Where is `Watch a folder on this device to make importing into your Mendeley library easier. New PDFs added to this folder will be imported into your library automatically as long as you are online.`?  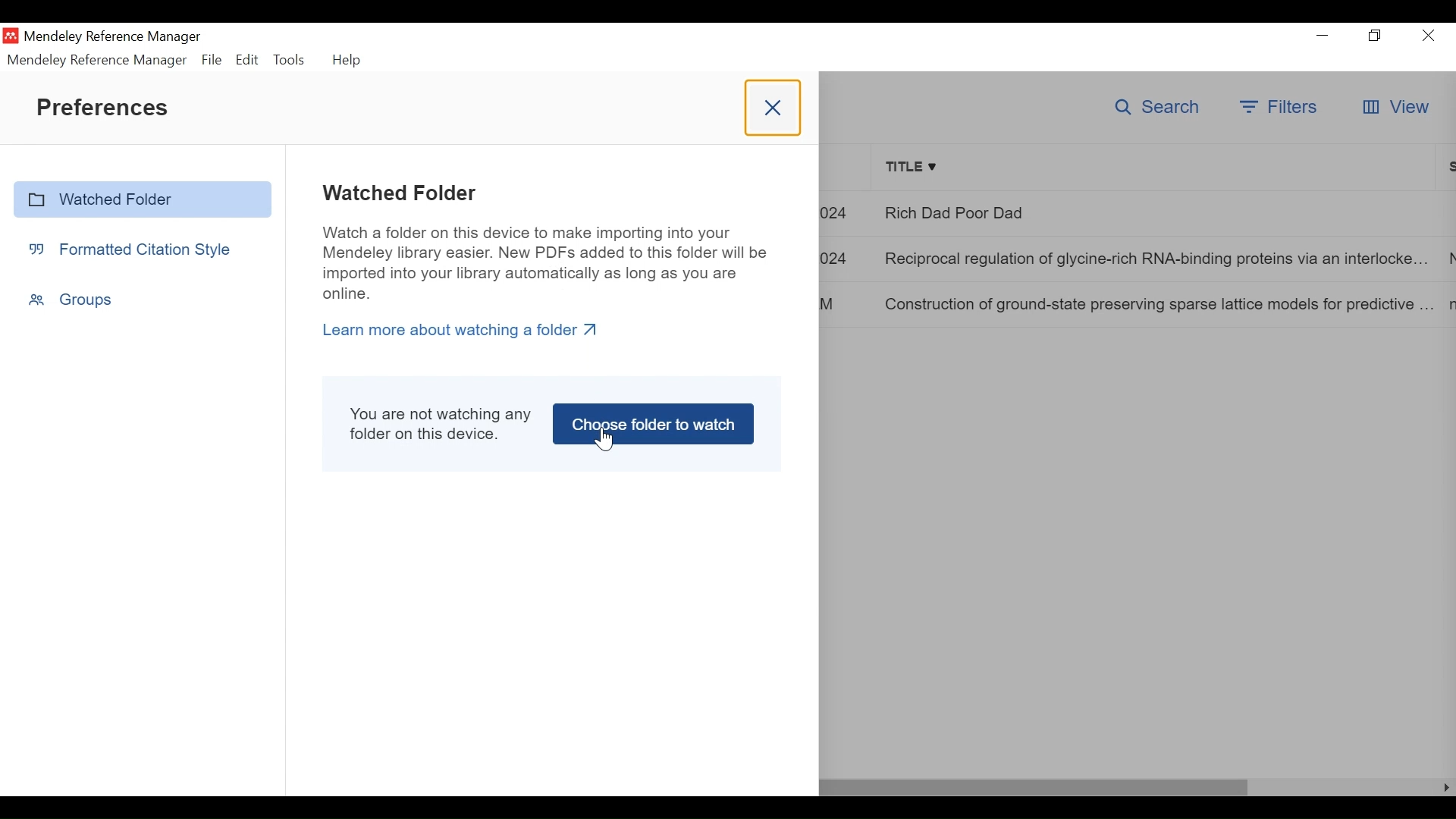 Watch a folder on this device to make importing into your Mendeley library easier. New PDFs added to this folder will be imported into your library automatically as long as you are online. is located at coordinates (543, 265).